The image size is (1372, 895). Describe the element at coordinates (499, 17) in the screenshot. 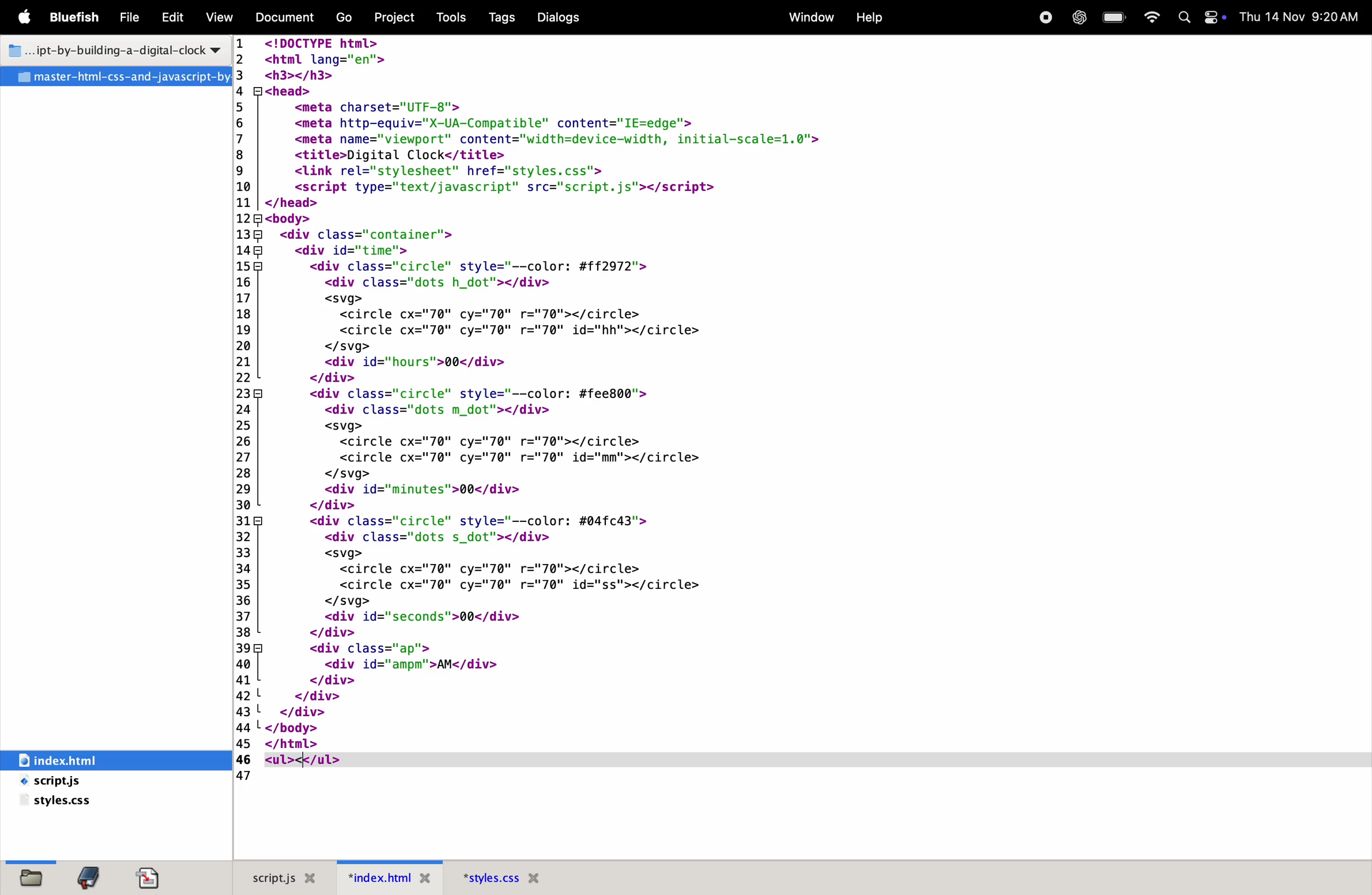

I see `Tags` at that location.